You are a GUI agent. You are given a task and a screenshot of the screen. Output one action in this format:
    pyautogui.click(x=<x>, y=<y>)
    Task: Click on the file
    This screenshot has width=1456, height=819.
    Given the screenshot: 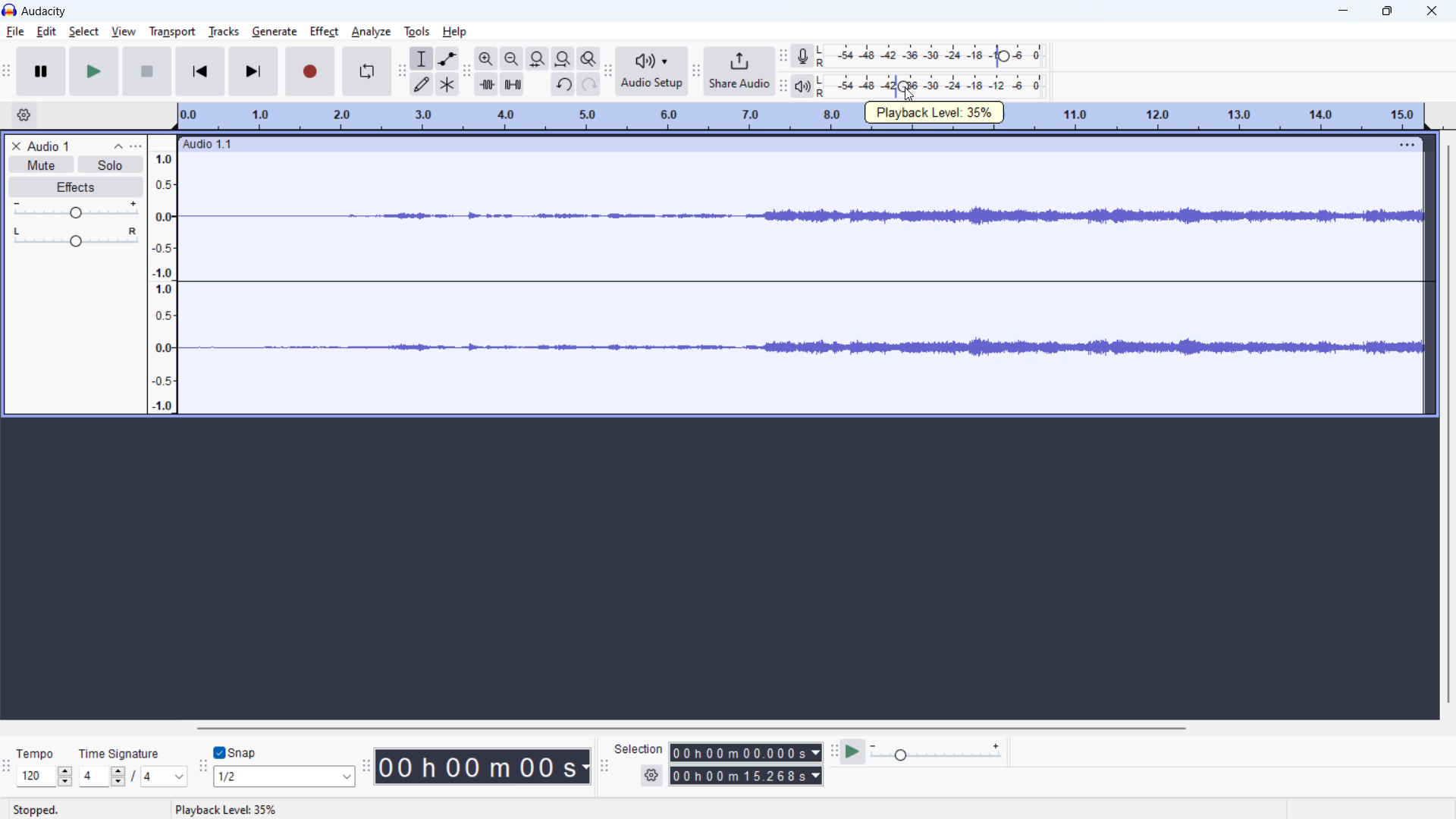 What is the action you would take?
    pyautogui.click(x=15, y=31)
    